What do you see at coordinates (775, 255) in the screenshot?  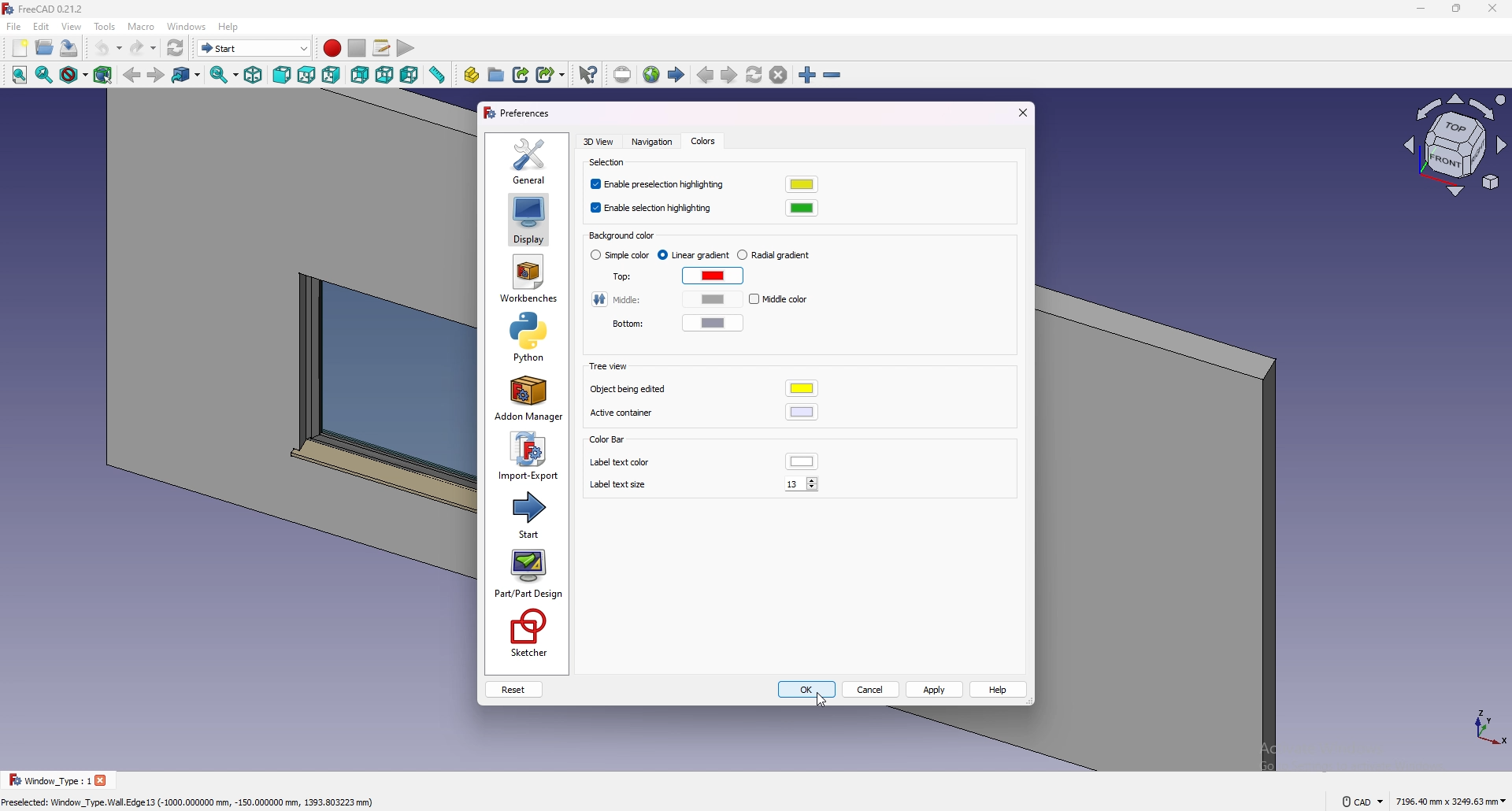 I see `radial gradient` at bounding box center [775, 255].